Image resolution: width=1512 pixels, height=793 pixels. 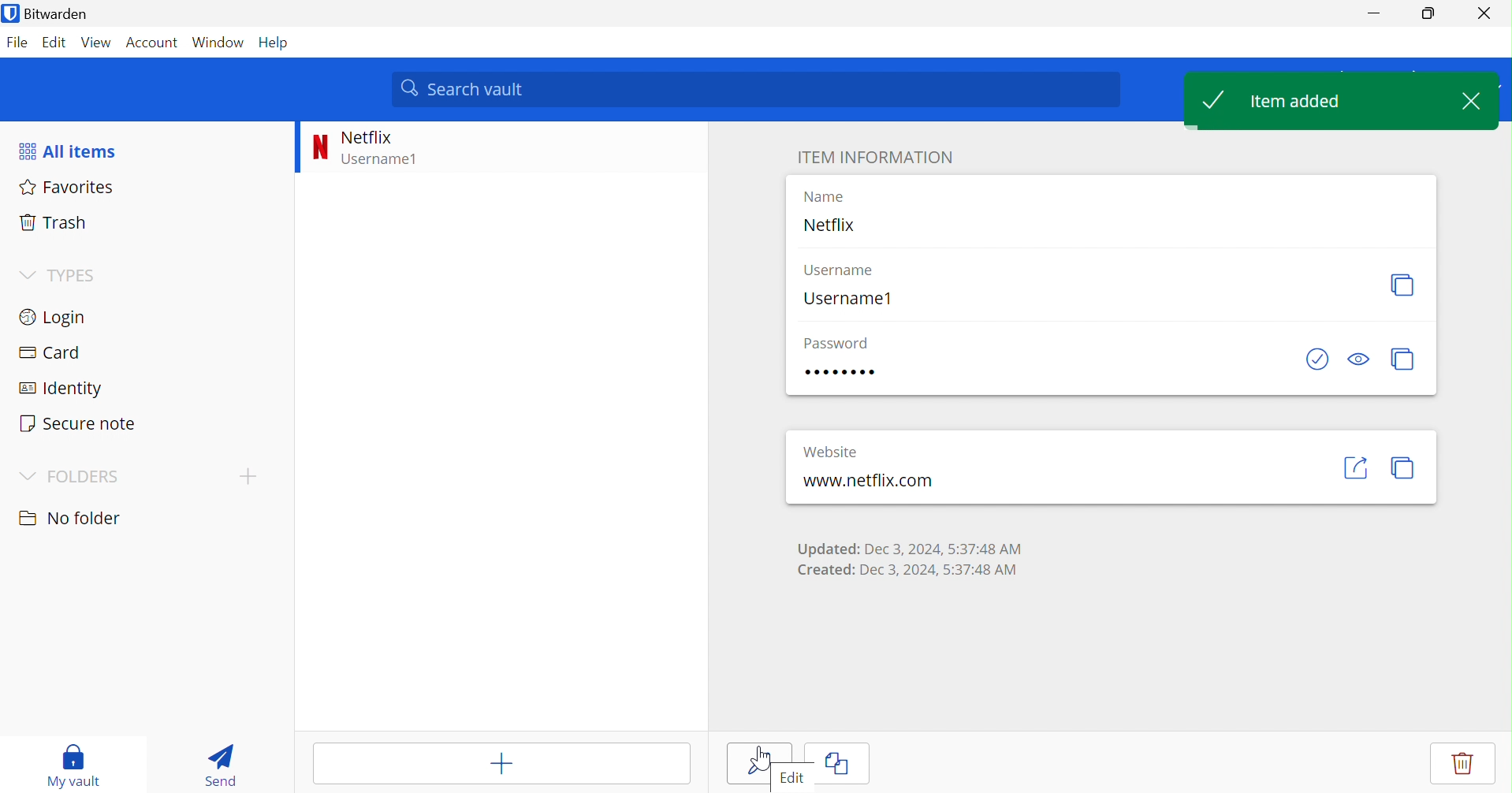 I want to click on Window, so click(x=218, y=43).